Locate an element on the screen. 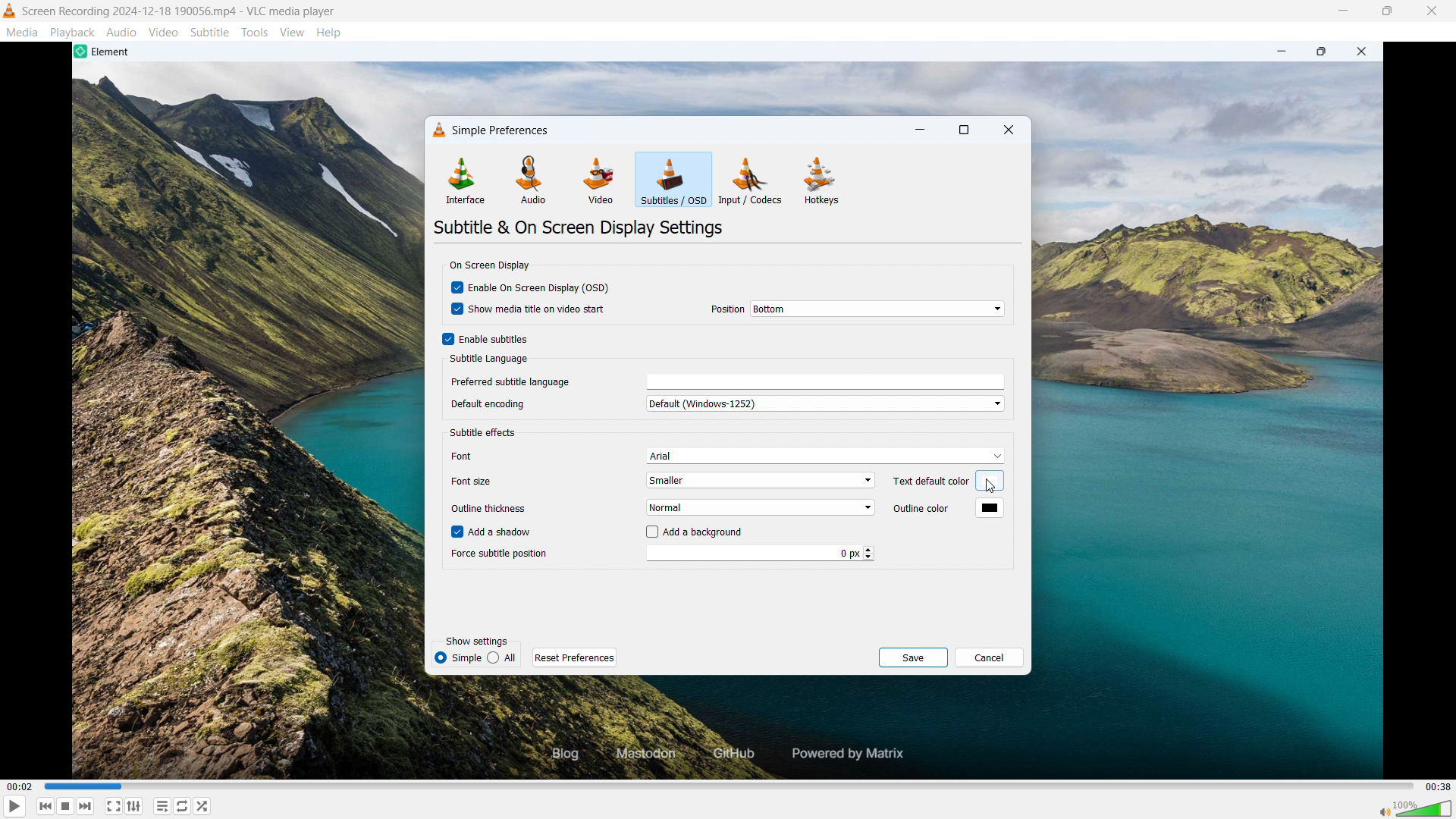  Close  is located at coordinates (1432, 11).